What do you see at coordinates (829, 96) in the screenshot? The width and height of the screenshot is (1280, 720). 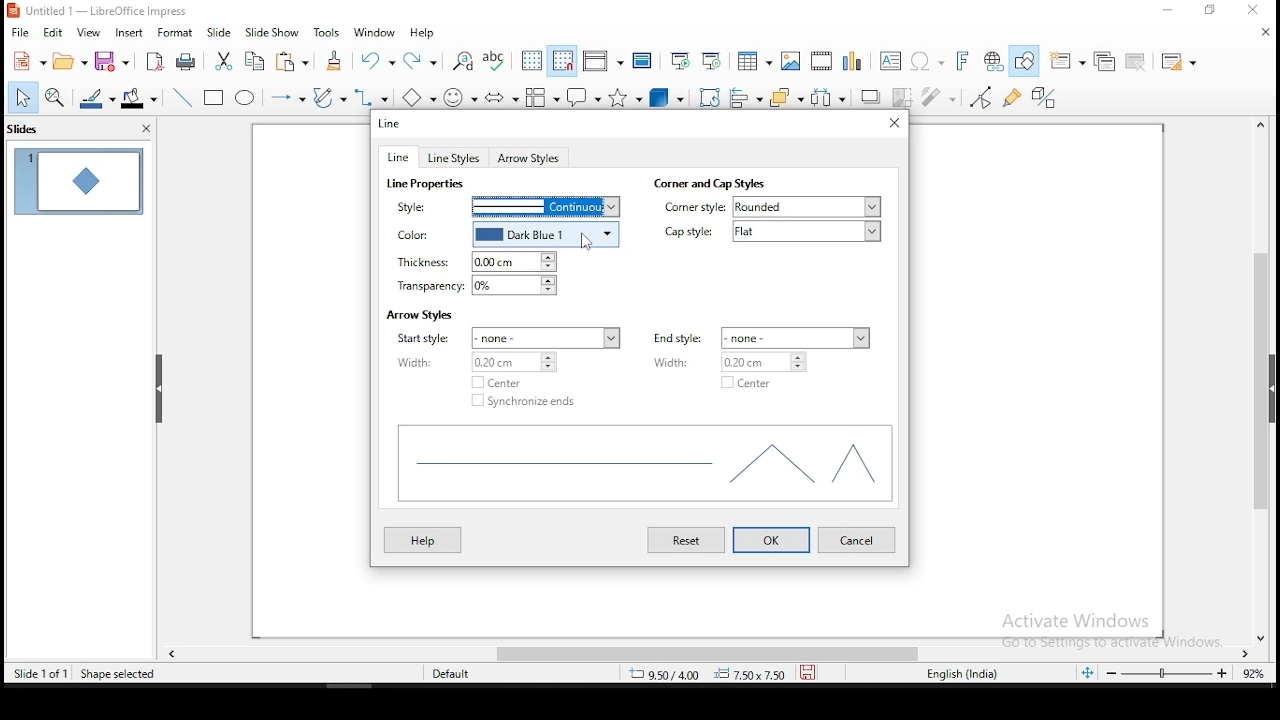 I see `distribute` at bounding box center [829, 96].